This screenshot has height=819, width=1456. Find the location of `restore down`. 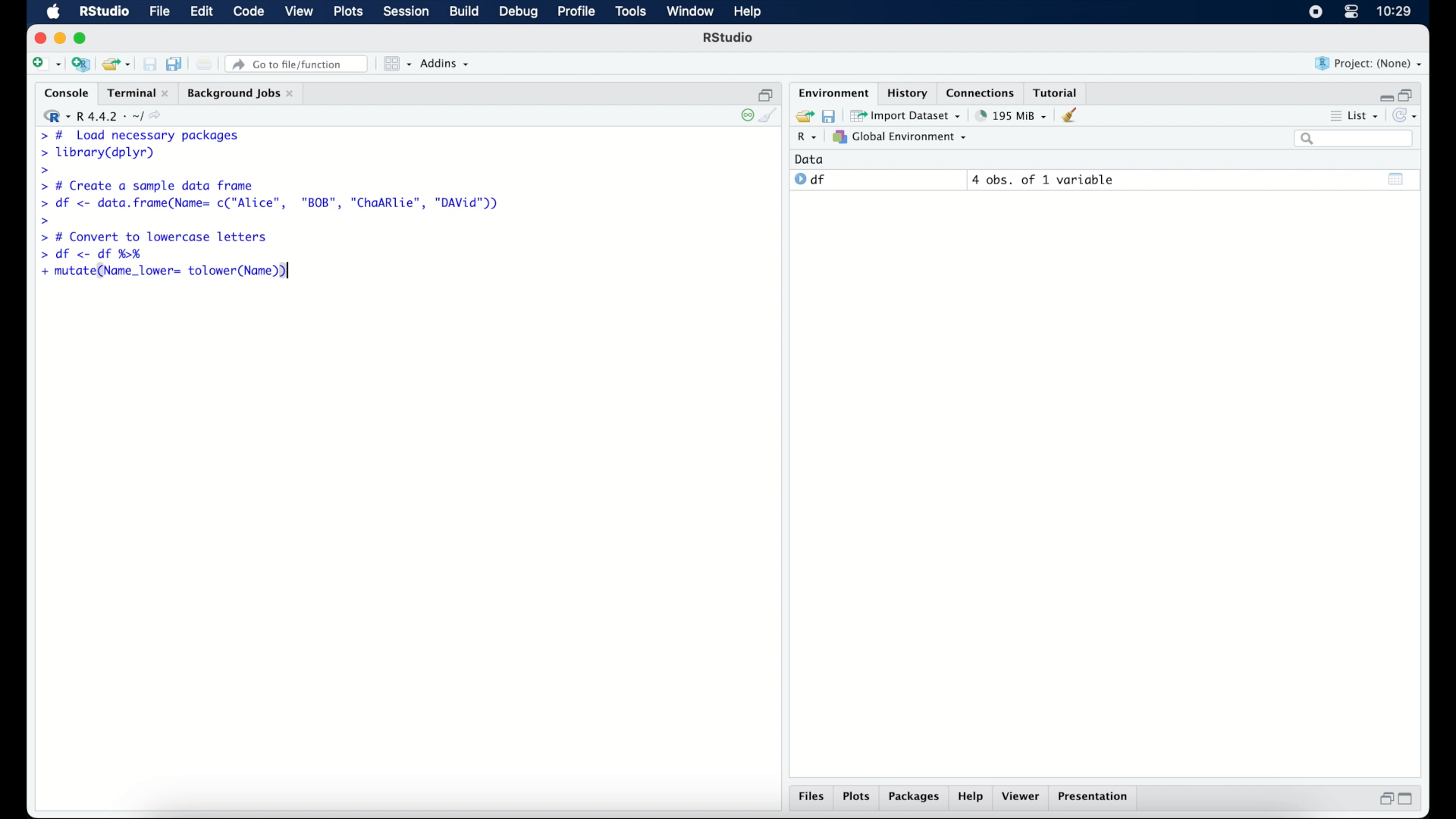

restore down is located at coordinates (1384, 800).